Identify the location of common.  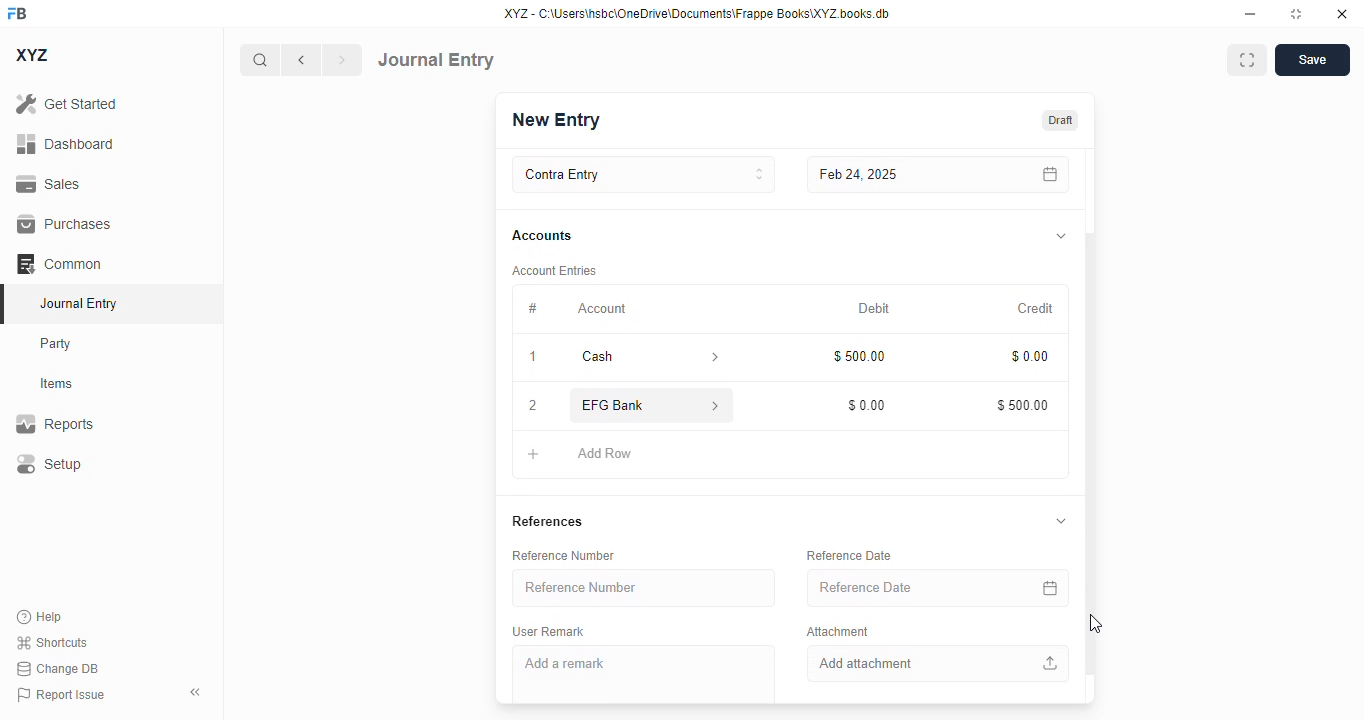
(59, 263).